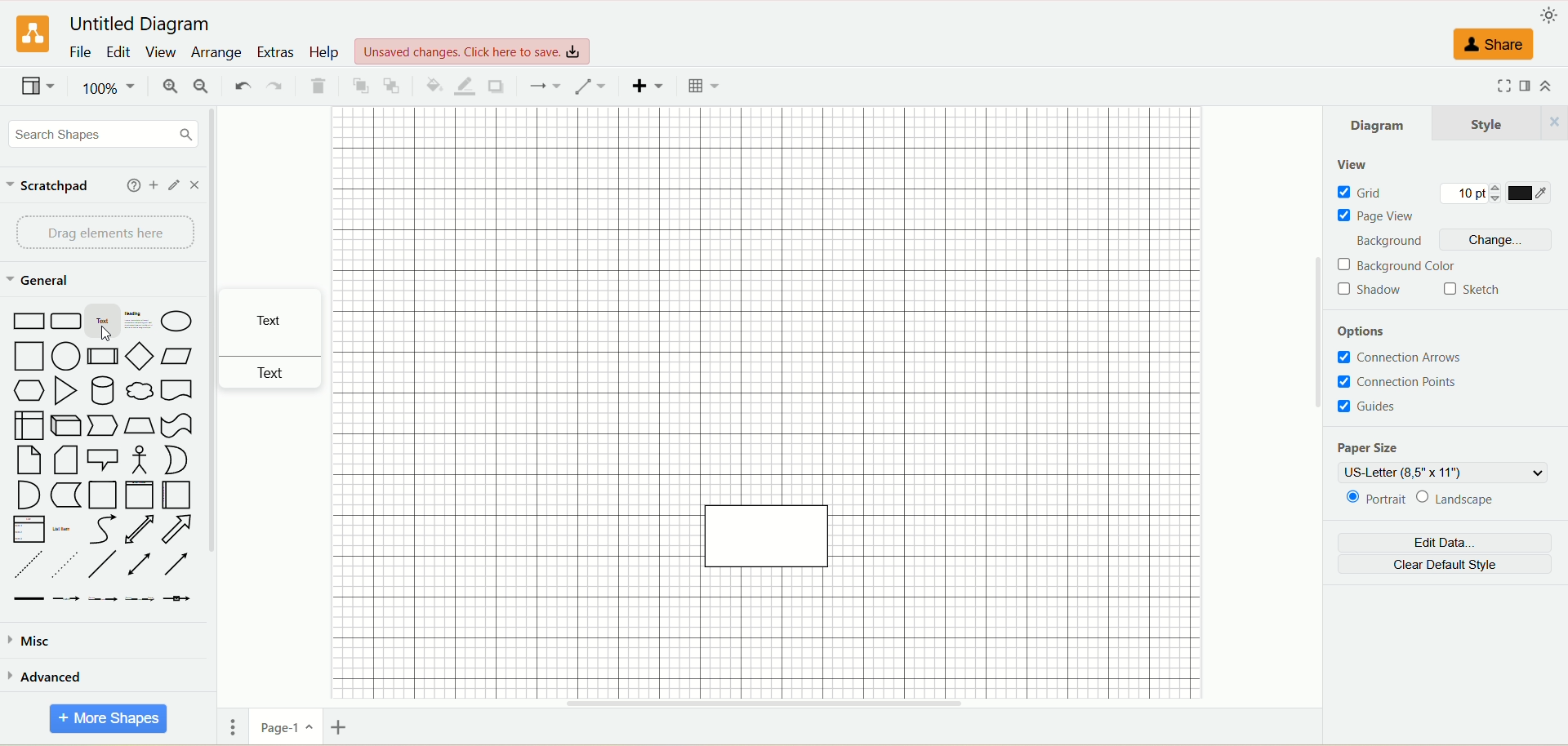 This screenshot has height=746, width=1568. I want to click on circle, so click(178, 320).